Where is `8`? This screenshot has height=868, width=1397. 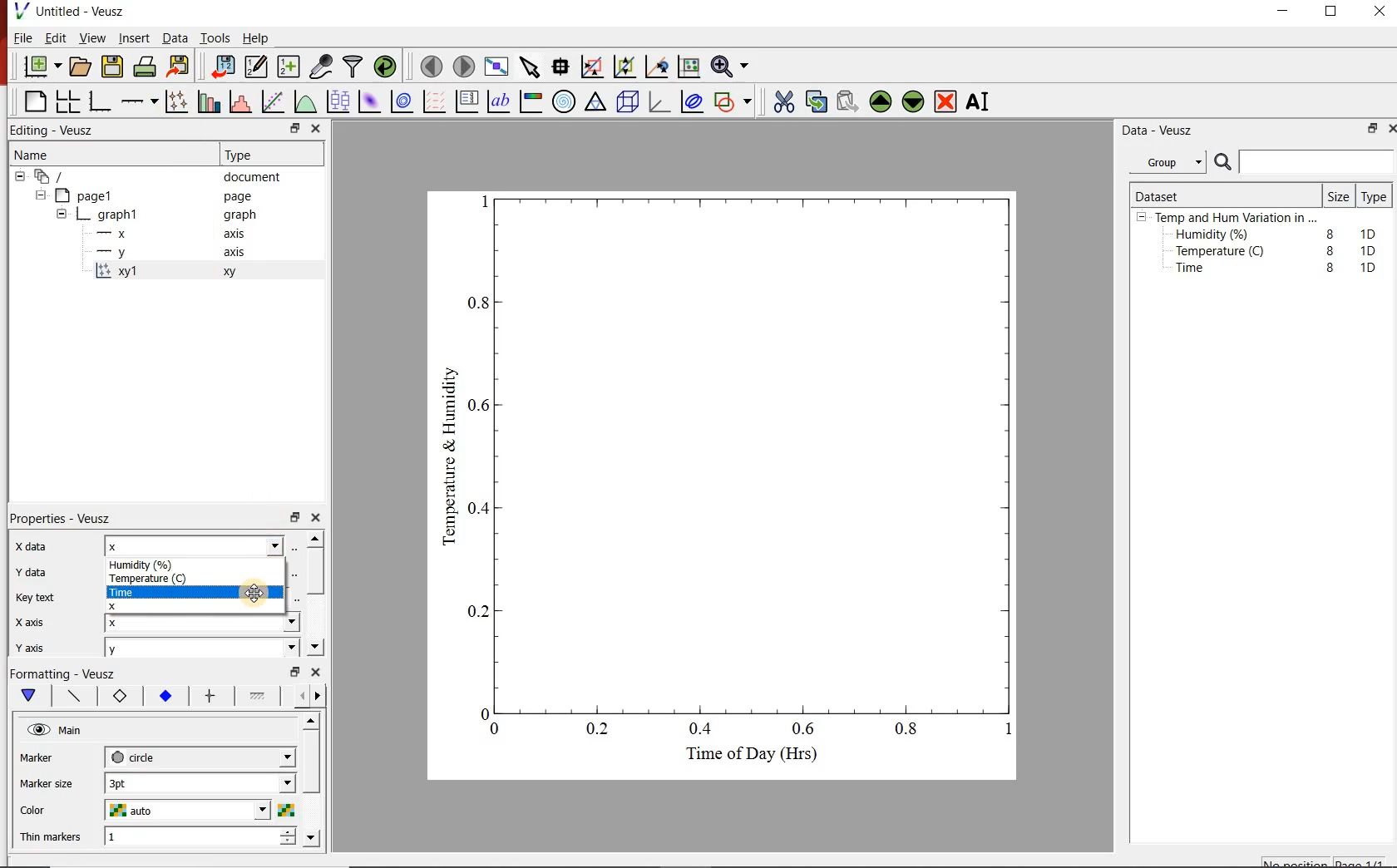 8 is located at coordinates (1330, 268).